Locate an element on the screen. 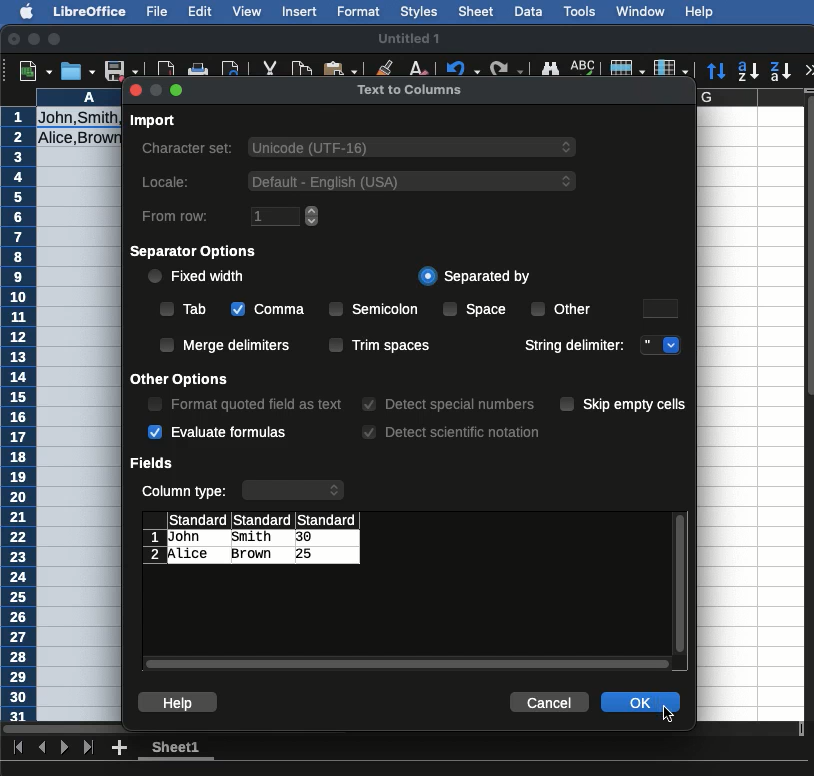  Separated by is located at coordinates (474, 277).